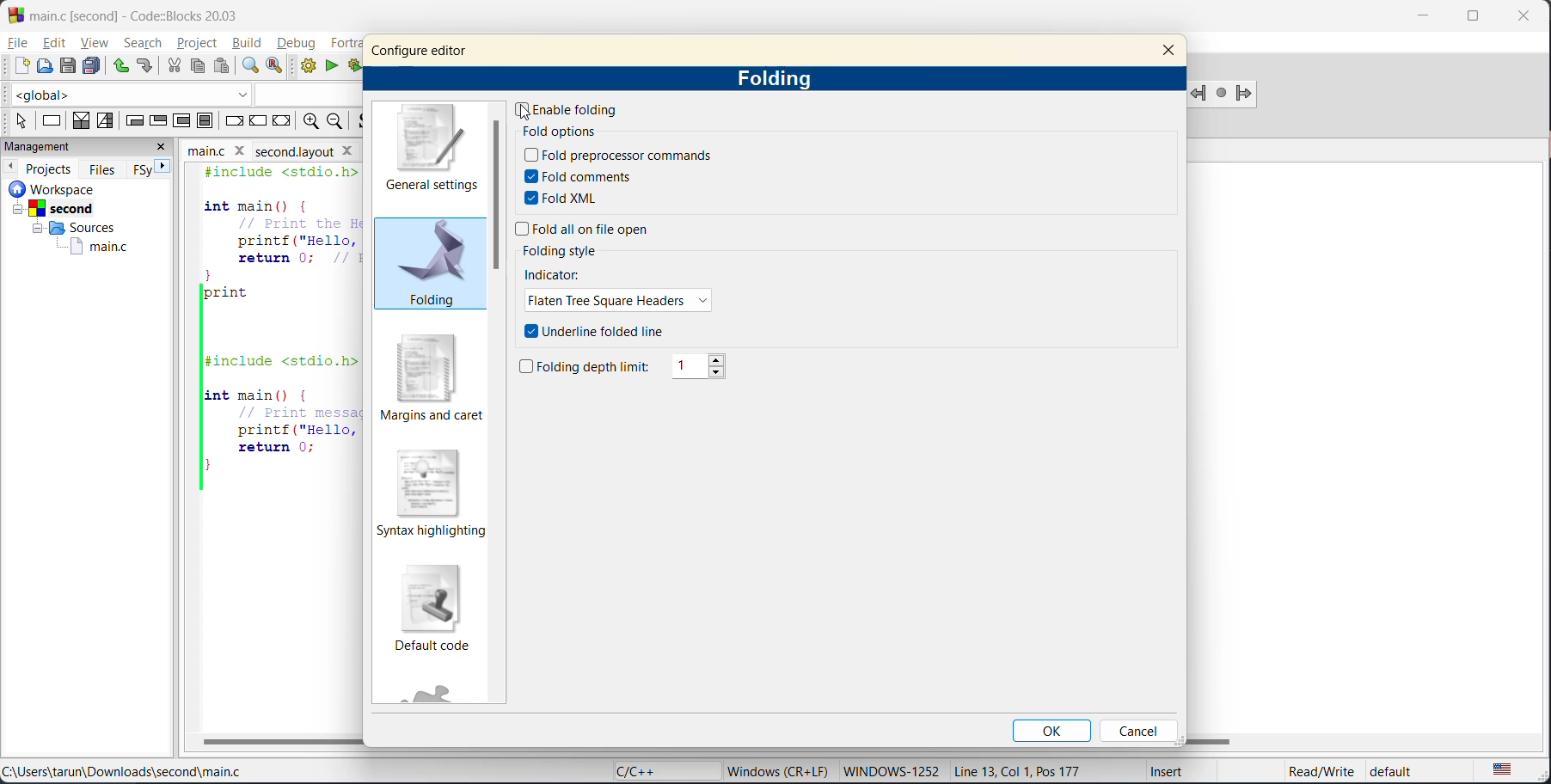  What do you see at coordinates (571, 109) in the screenshot?
I see `enable folding` at bounding box center [571, 109].